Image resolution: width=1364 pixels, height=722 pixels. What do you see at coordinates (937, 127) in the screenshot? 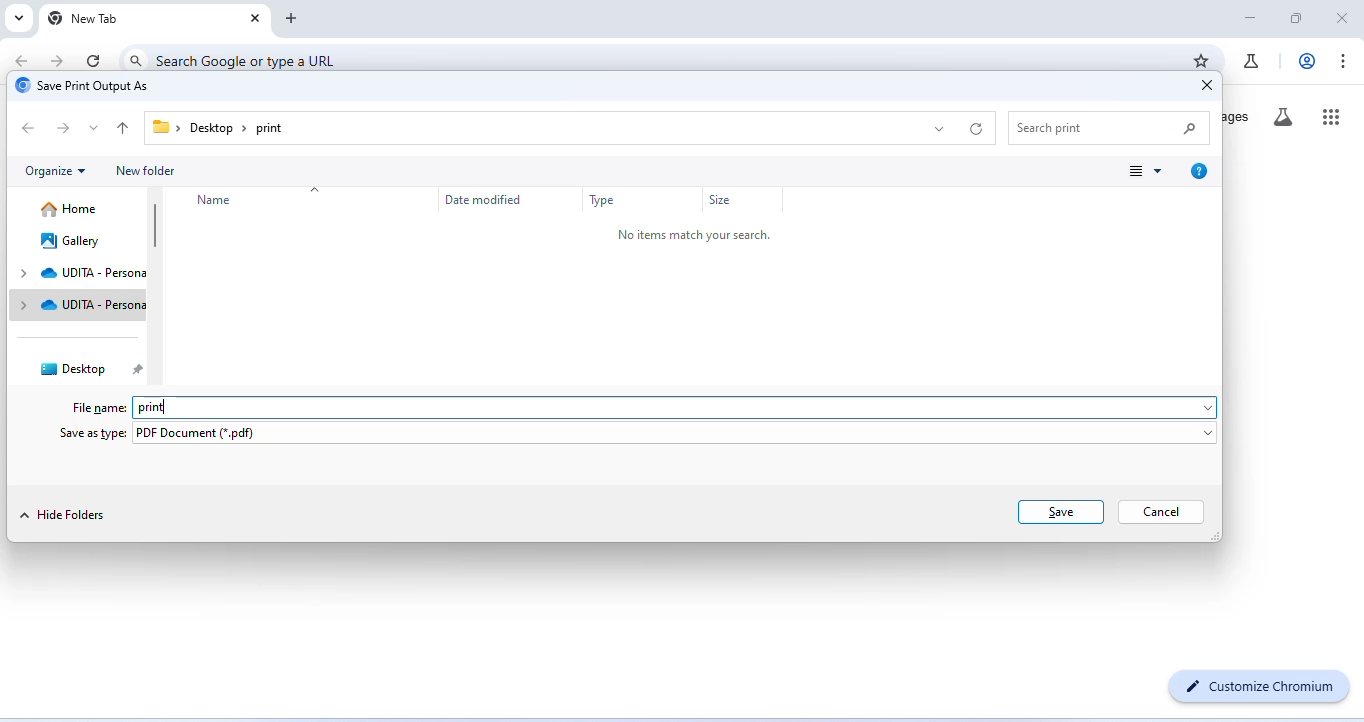
I see `drop down` at bounding box center [937, 127].